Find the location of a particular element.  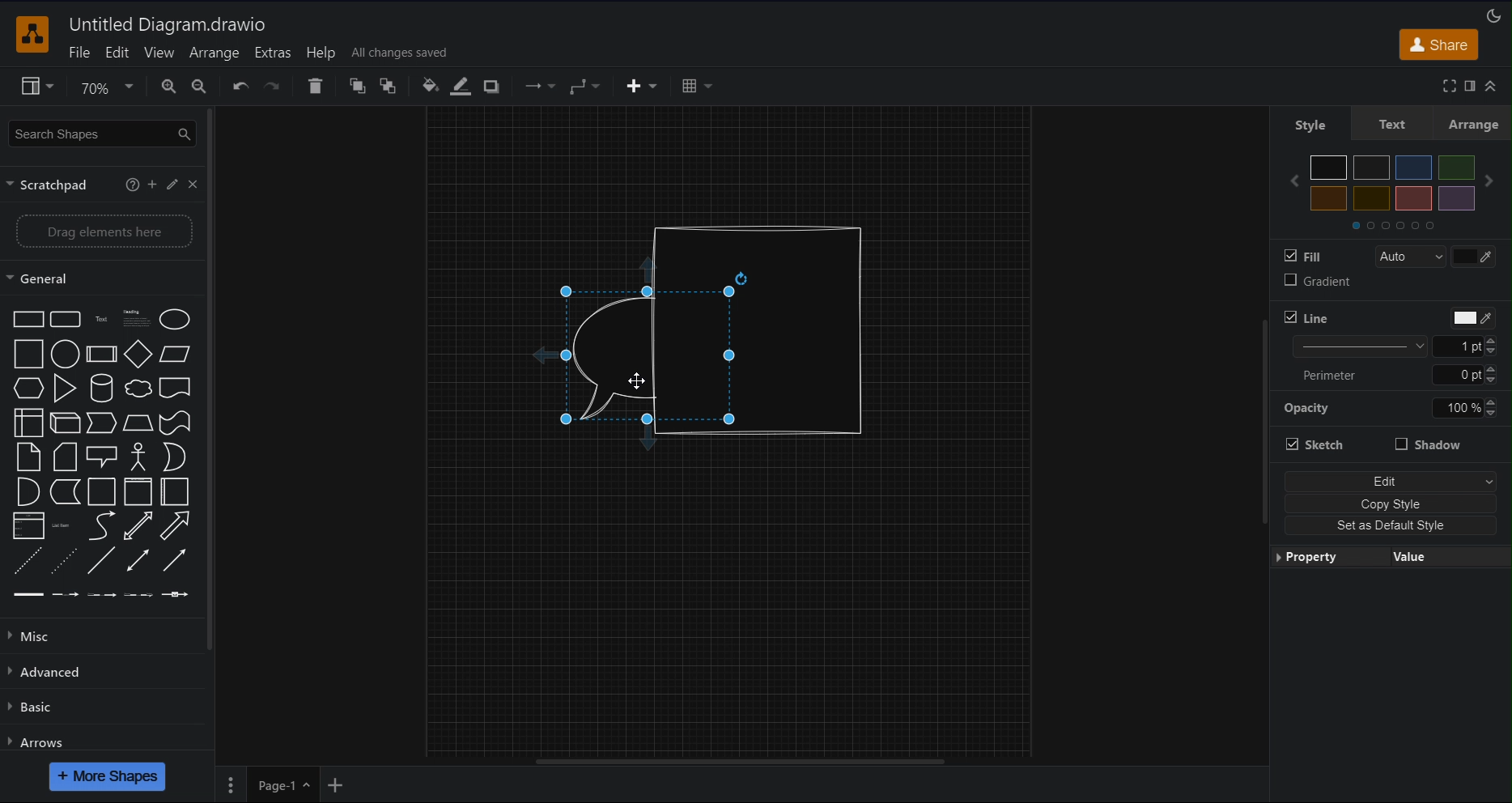

Cursor is located at coordinates (637, 380).